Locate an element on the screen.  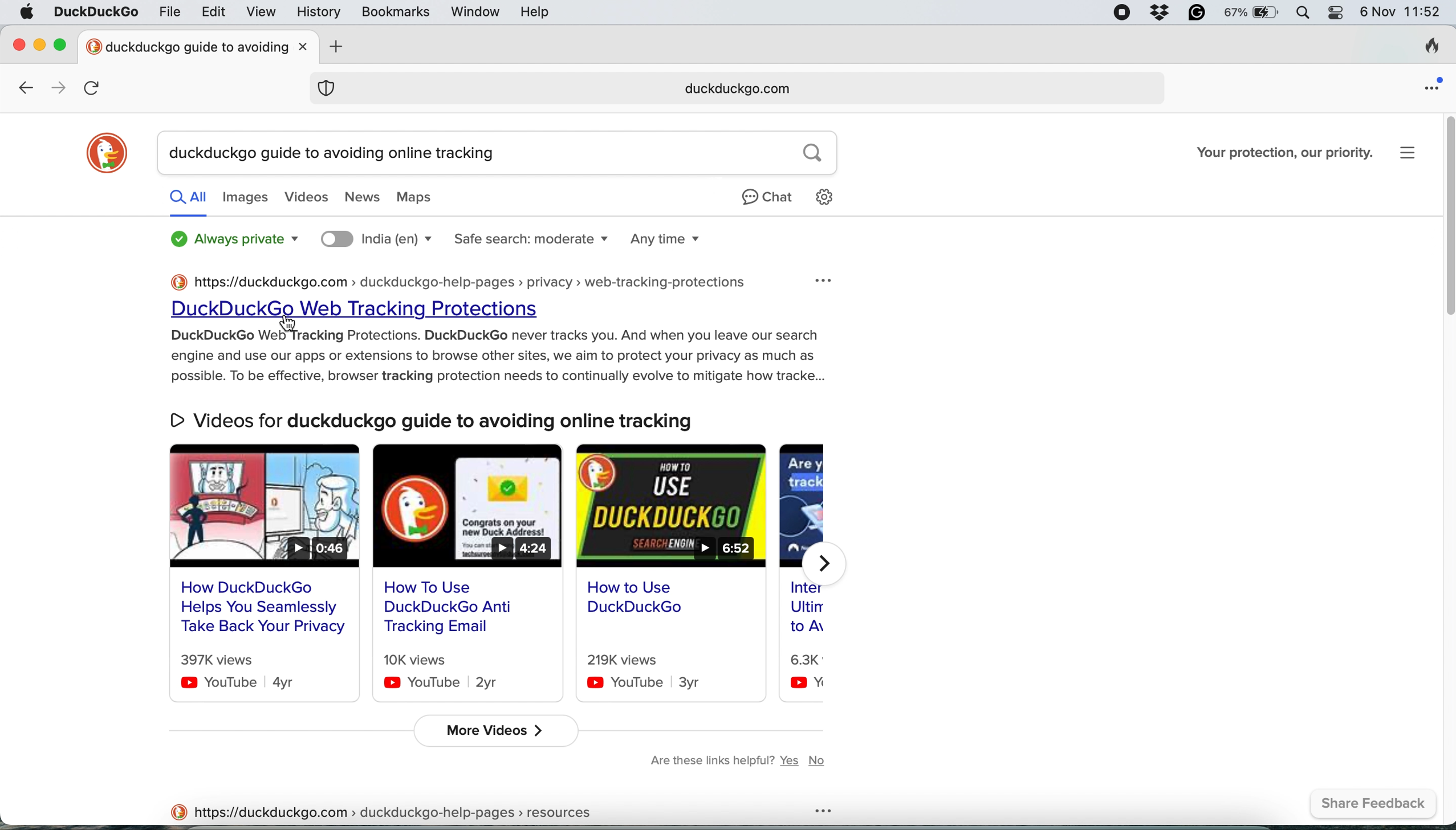
view is located at coordinates (261, 12).